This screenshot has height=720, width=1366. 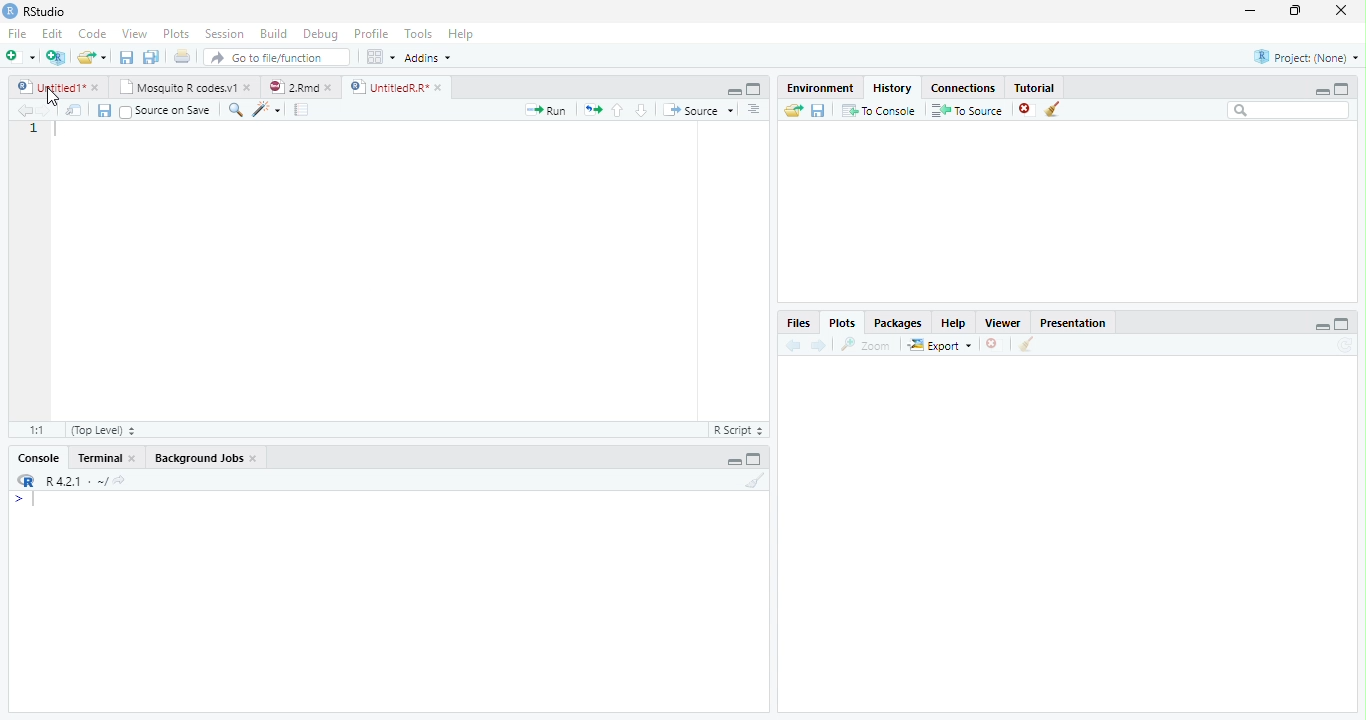 What do you see at coordinates (698, 110) in the screenshot?
I see `Source` at bounding box center [698, 110].